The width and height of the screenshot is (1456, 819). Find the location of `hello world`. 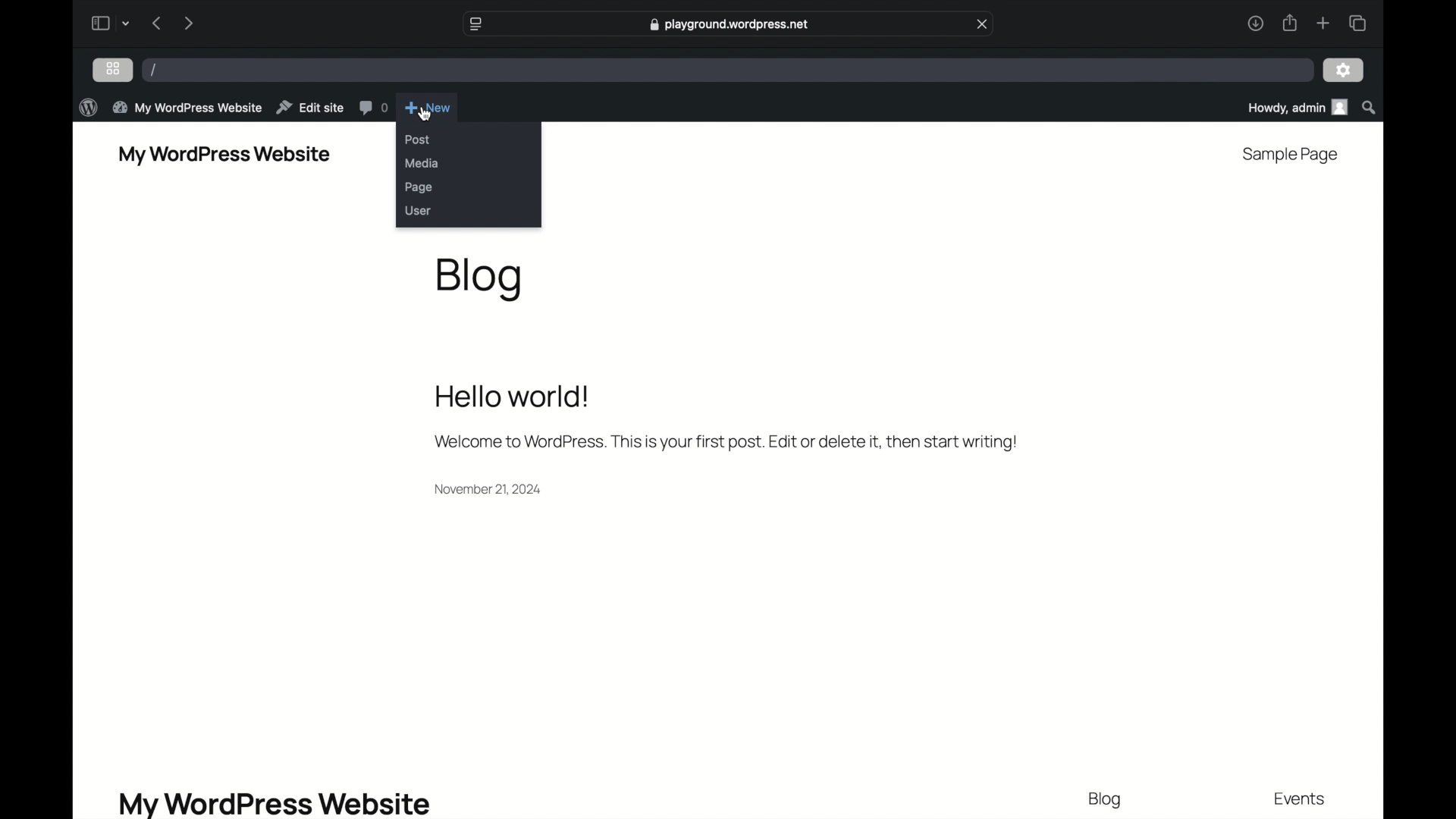

hello world is located at coordinates (513, 394).